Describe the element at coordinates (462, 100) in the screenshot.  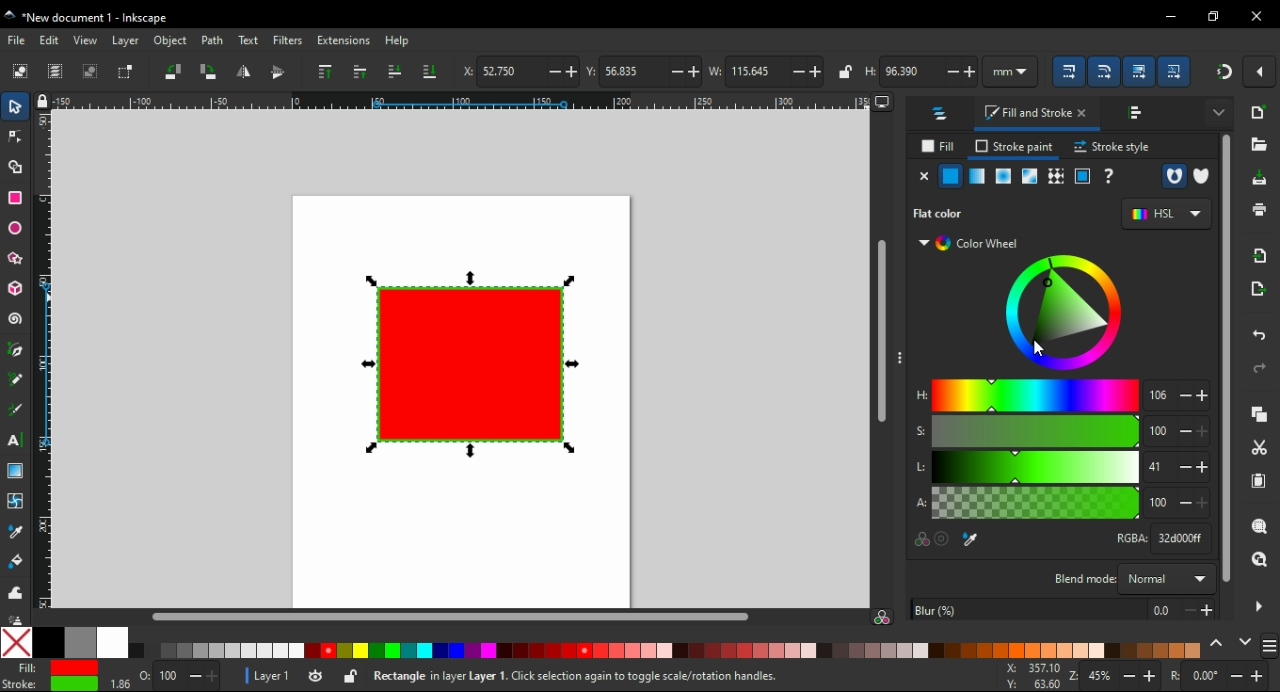
I see `ruler` at that location.